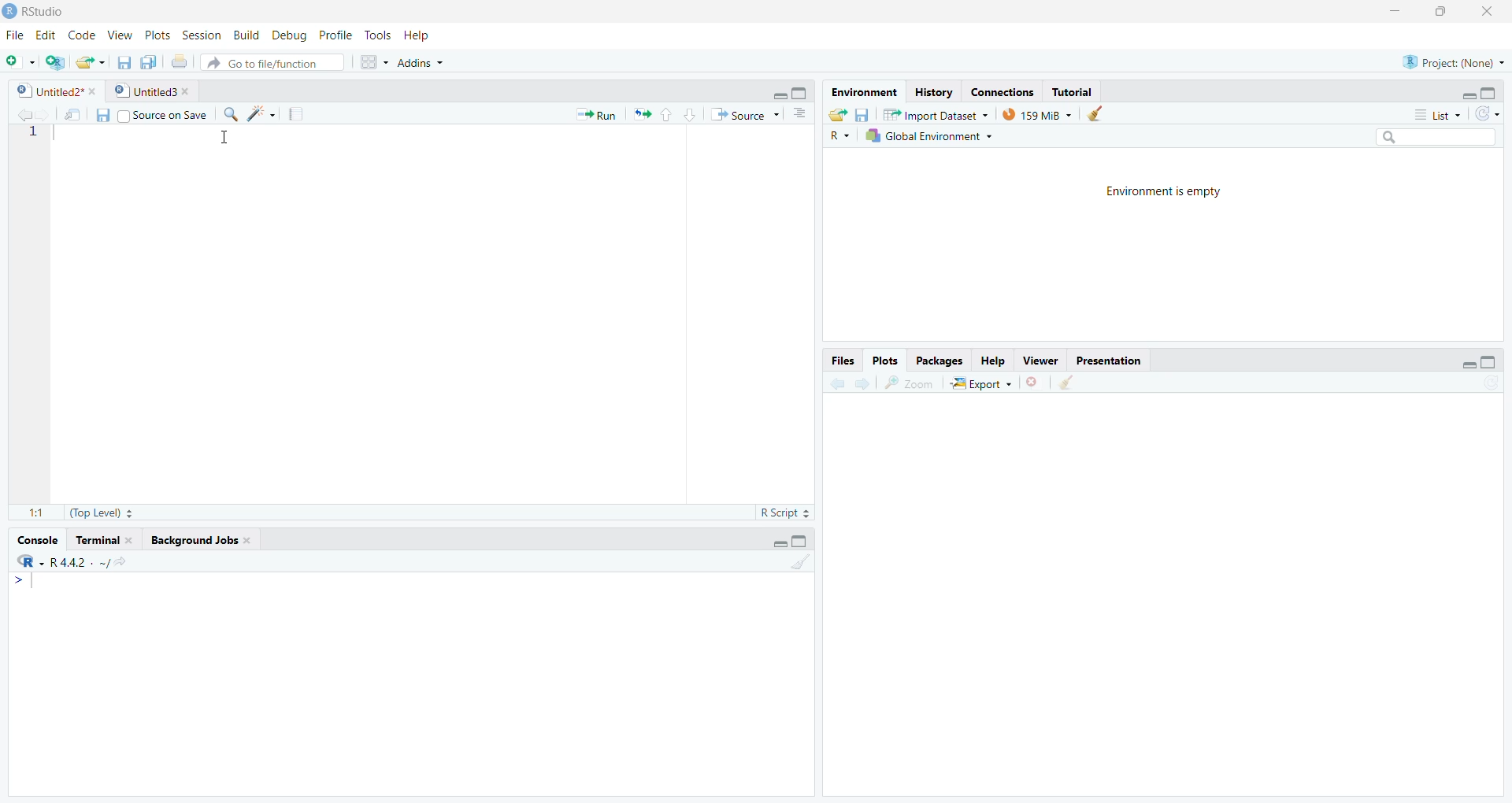 Image resolution: width=1512 pixels, height=803 pixels. Describe the element at coordinates (992, 362) in the screenshot. I see `Help` at that location.